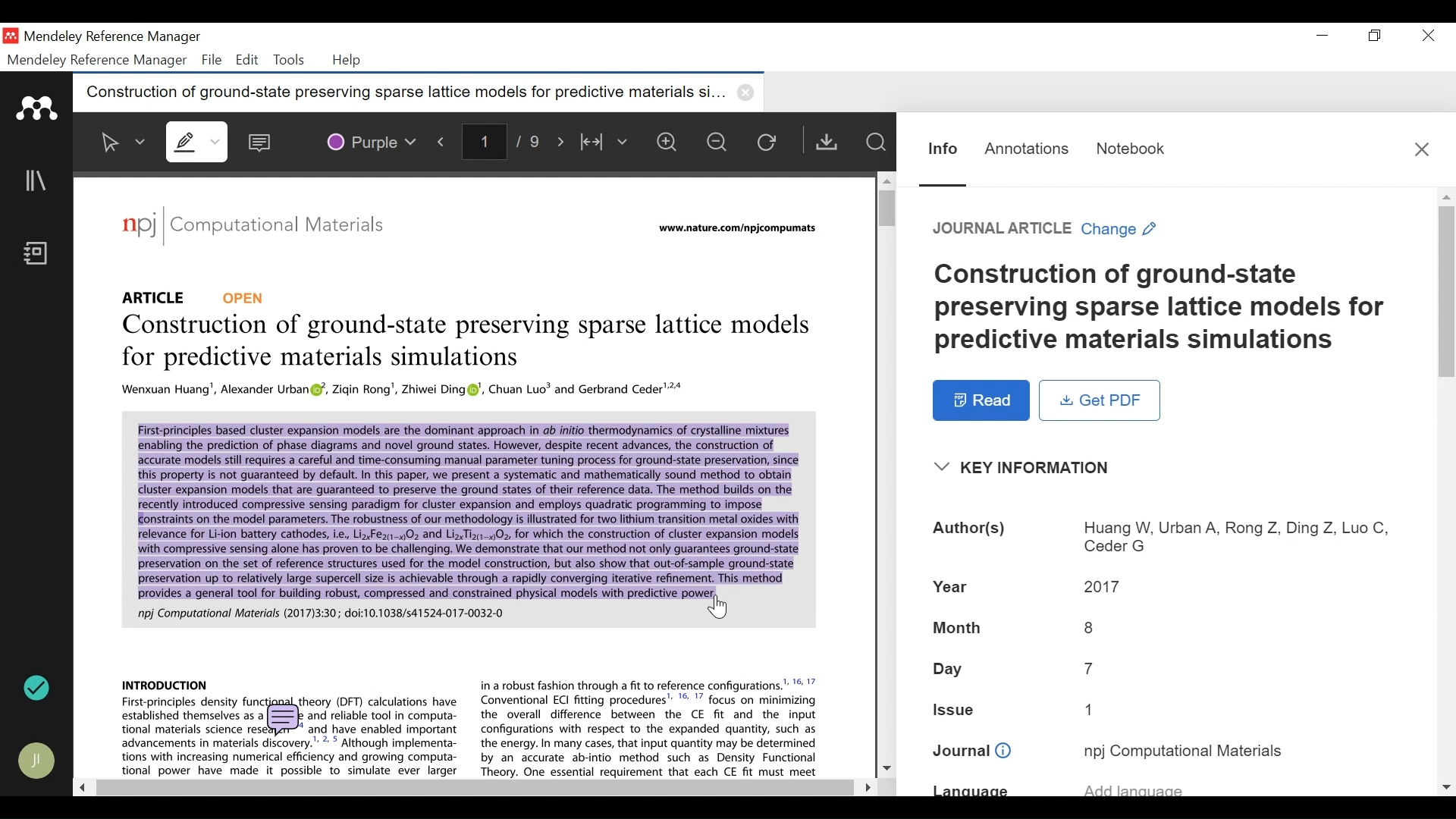  I want to click on Edit, so click(245, 60).